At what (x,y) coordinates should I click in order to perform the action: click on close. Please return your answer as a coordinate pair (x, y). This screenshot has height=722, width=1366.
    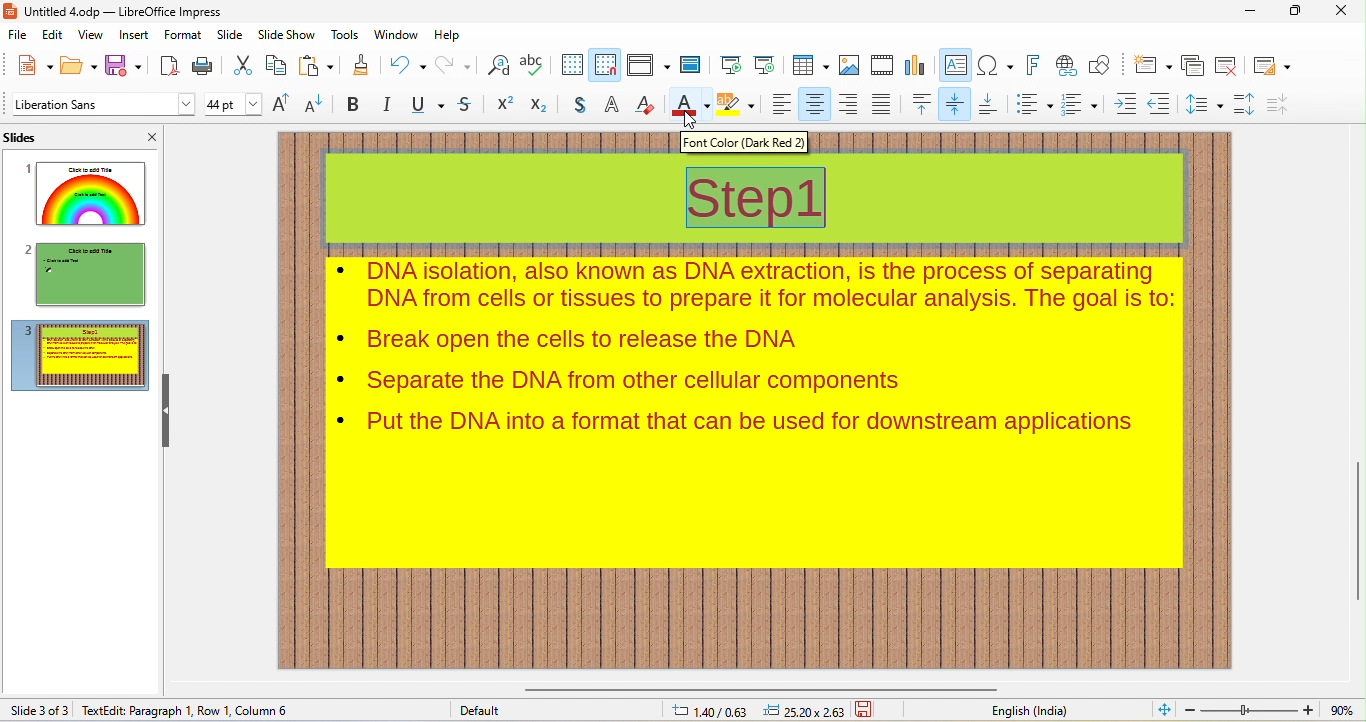
    Looking at the image, I should click on (1344, 11).